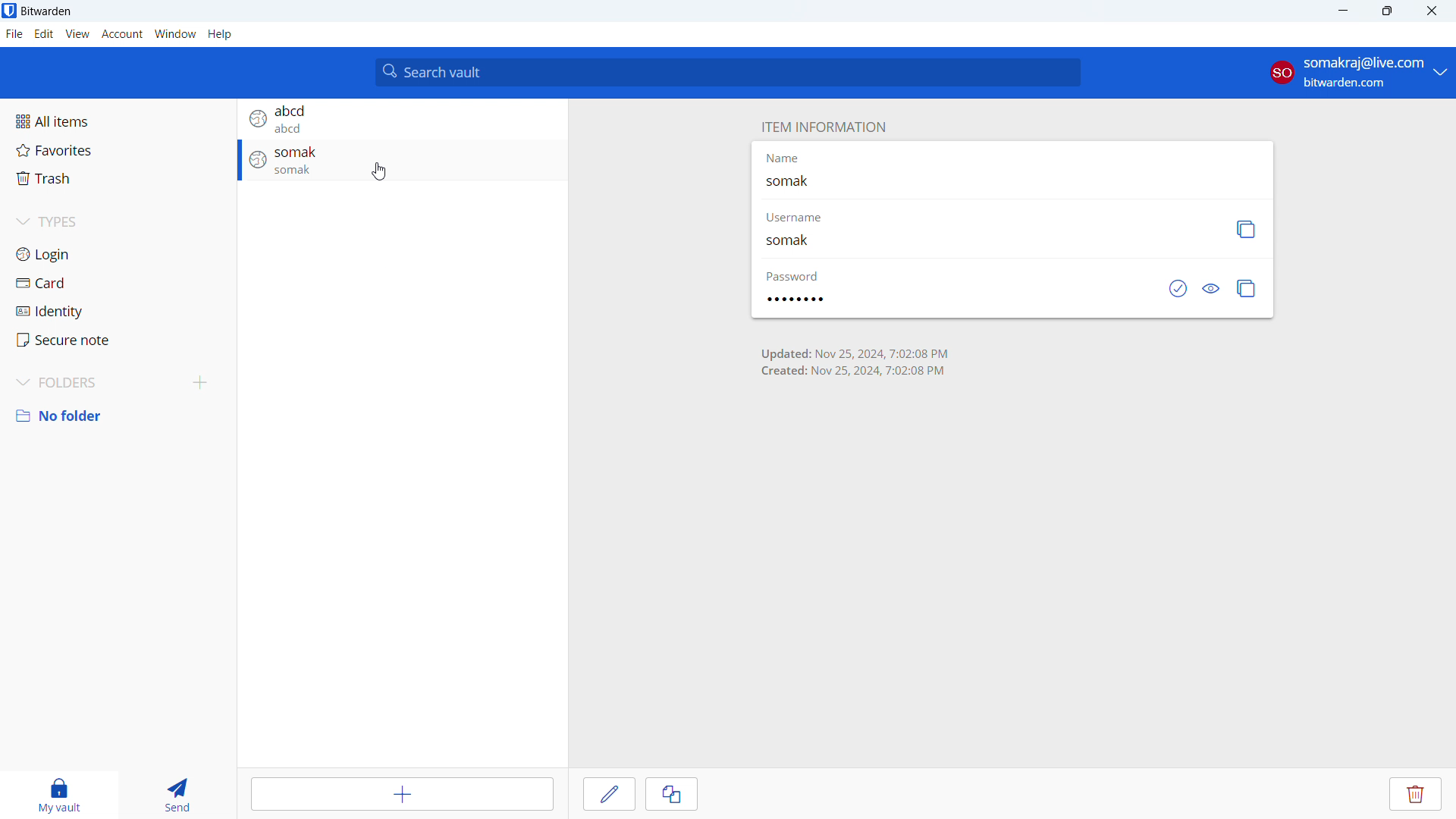 The height and width of the screenshot is (819, 1456). Describe the element at coordinates (117, 340) in the screenshot. I see `secure note` at that location.